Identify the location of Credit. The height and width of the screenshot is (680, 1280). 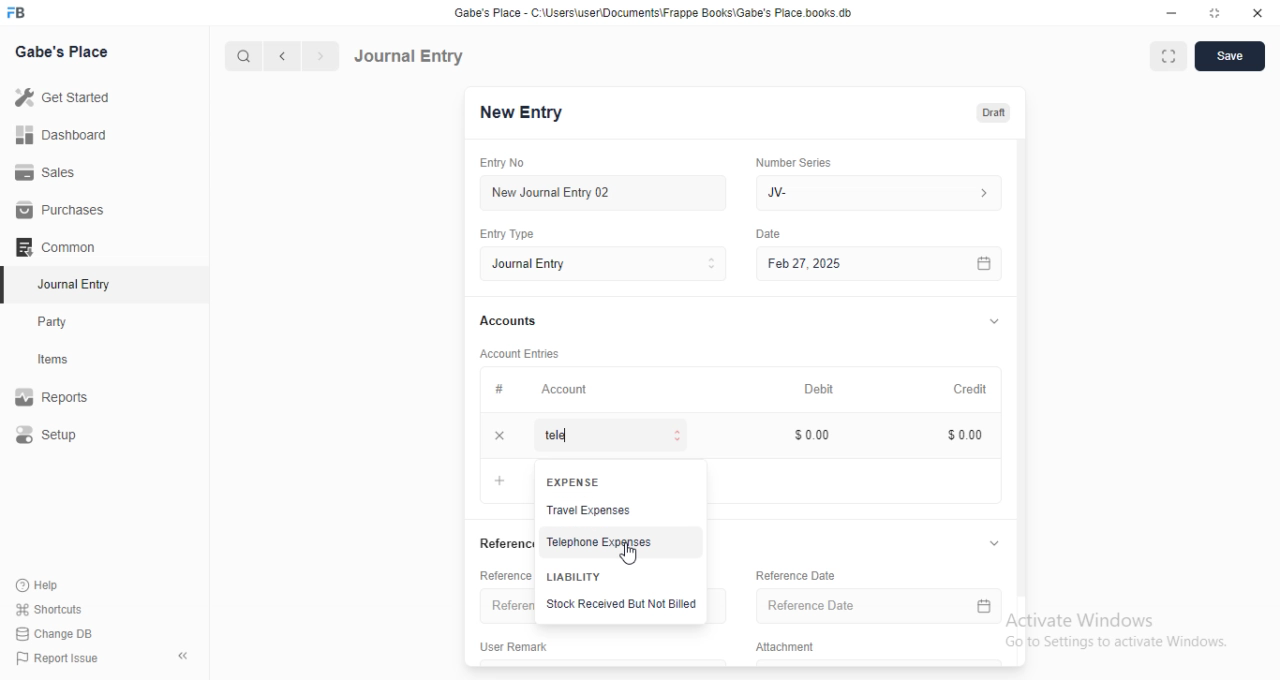
(971, 390).